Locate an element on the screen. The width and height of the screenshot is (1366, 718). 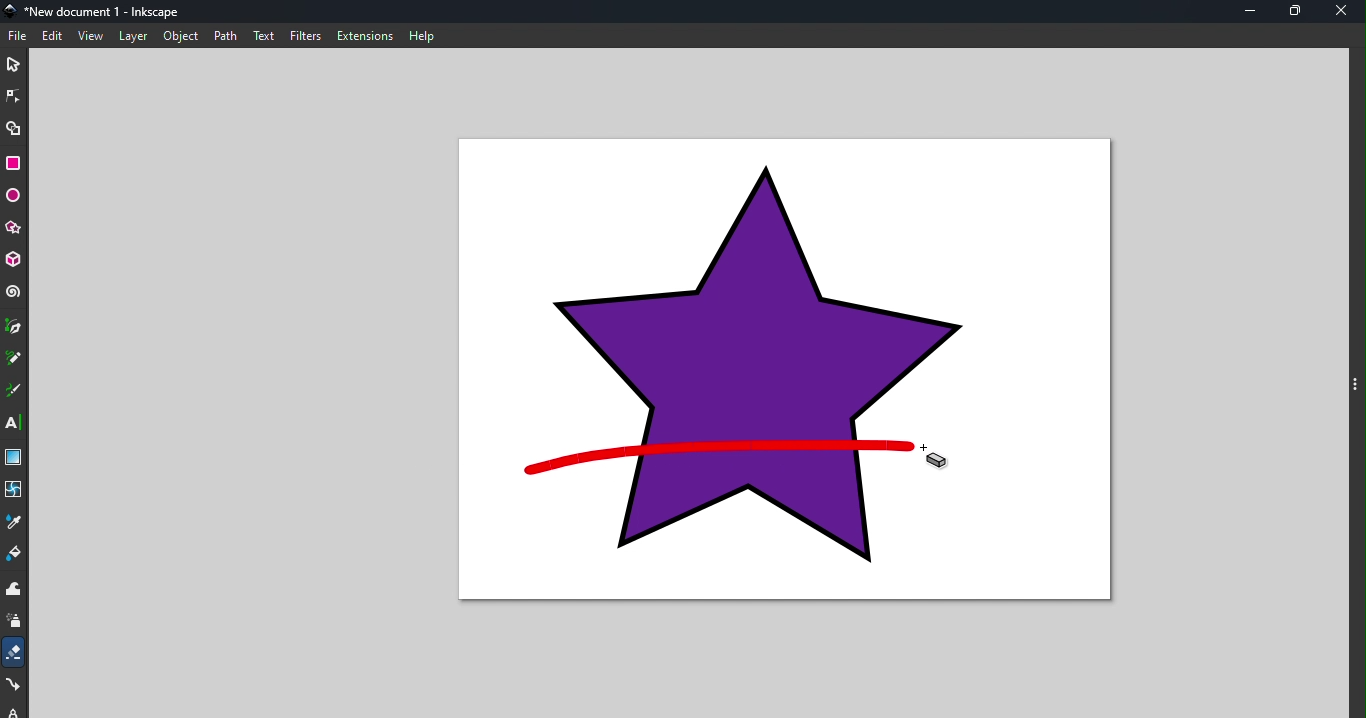
dropper tool is located at coordinates (14, 521).